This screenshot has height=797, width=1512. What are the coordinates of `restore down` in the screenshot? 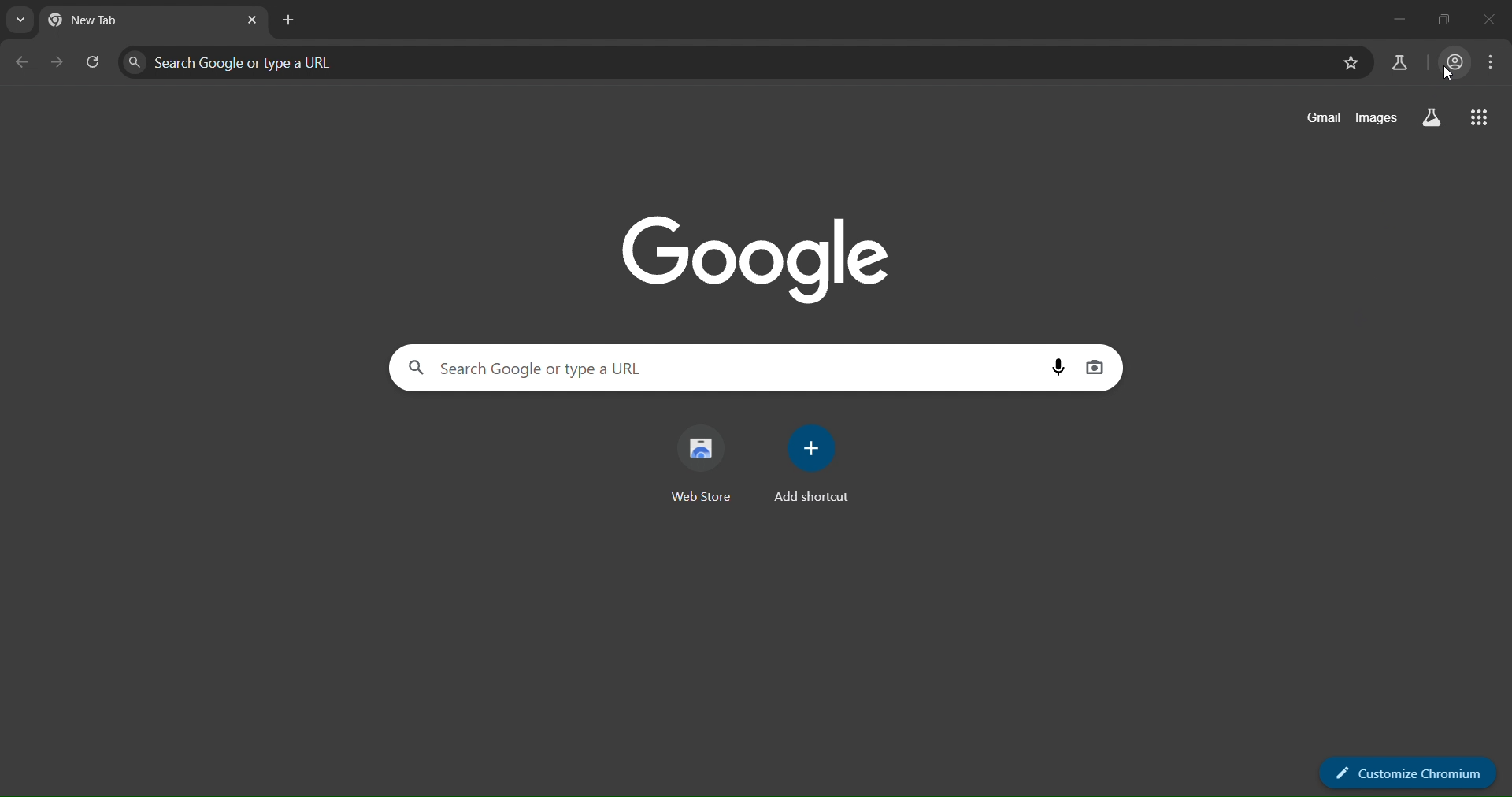 It's located at (1445, 21).